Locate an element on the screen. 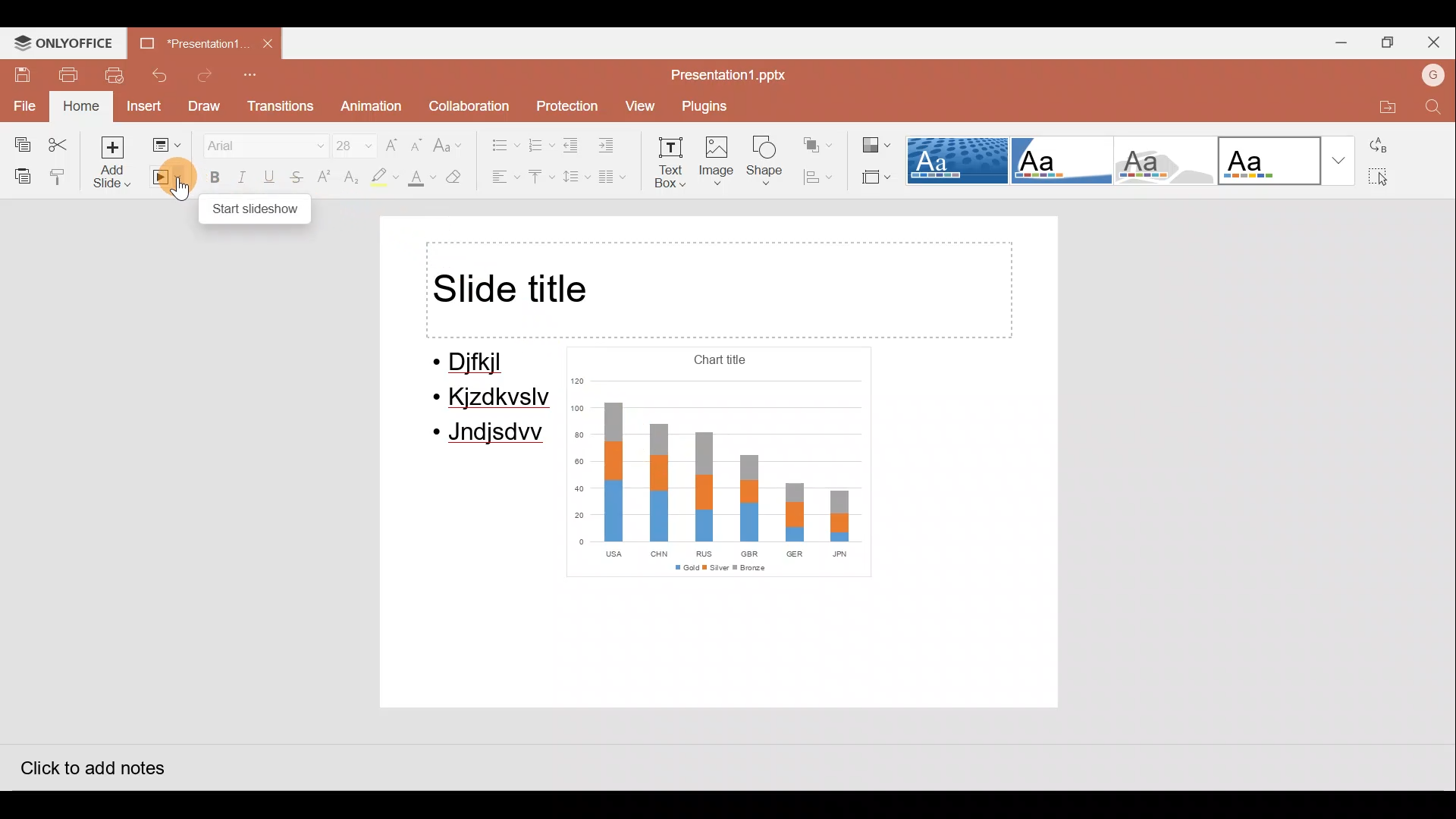  Close is located at coordinates (1433, 39).